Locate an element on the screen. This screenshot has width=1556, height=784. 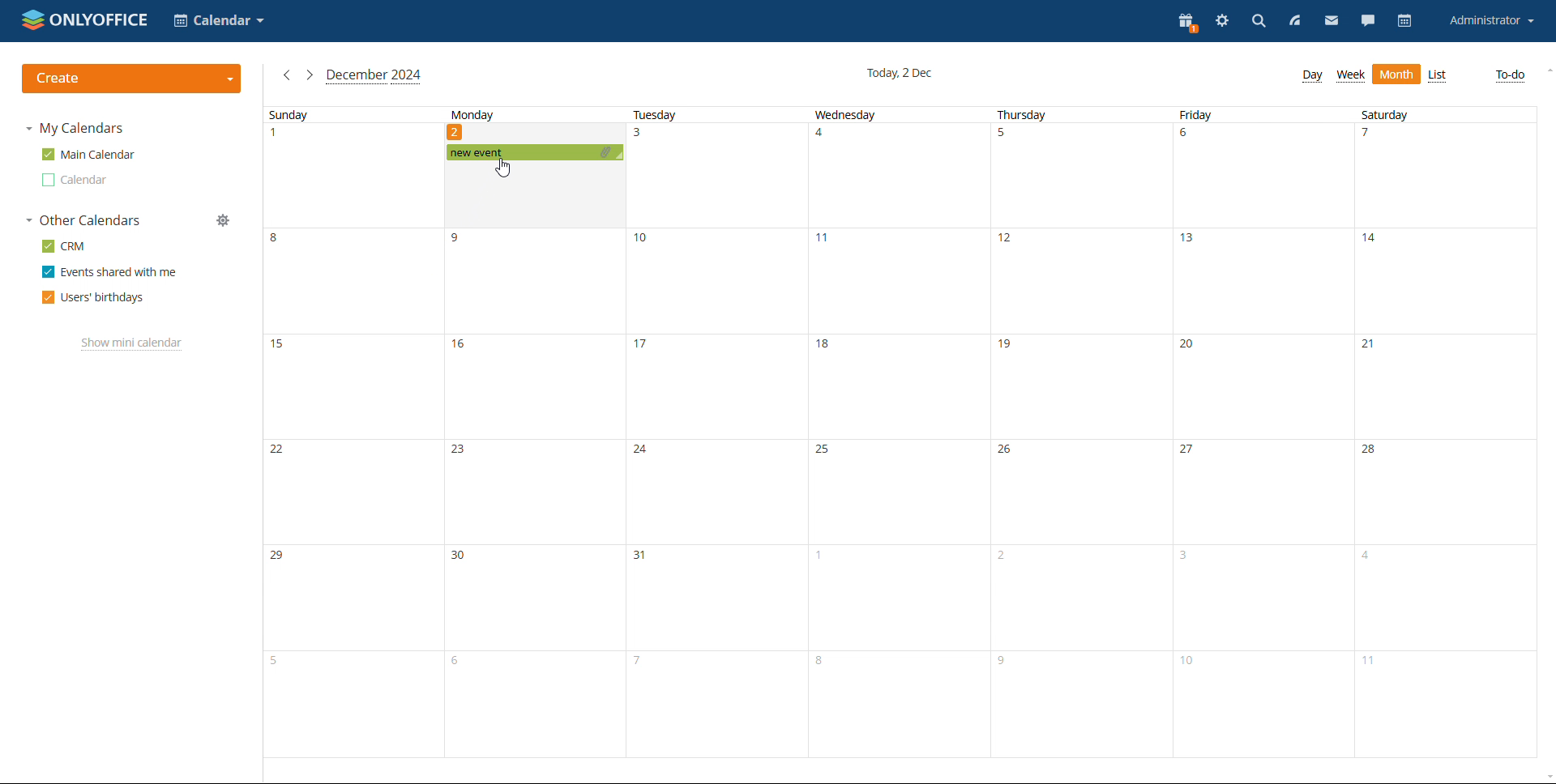
6 is located at coordinates (1188, 137).